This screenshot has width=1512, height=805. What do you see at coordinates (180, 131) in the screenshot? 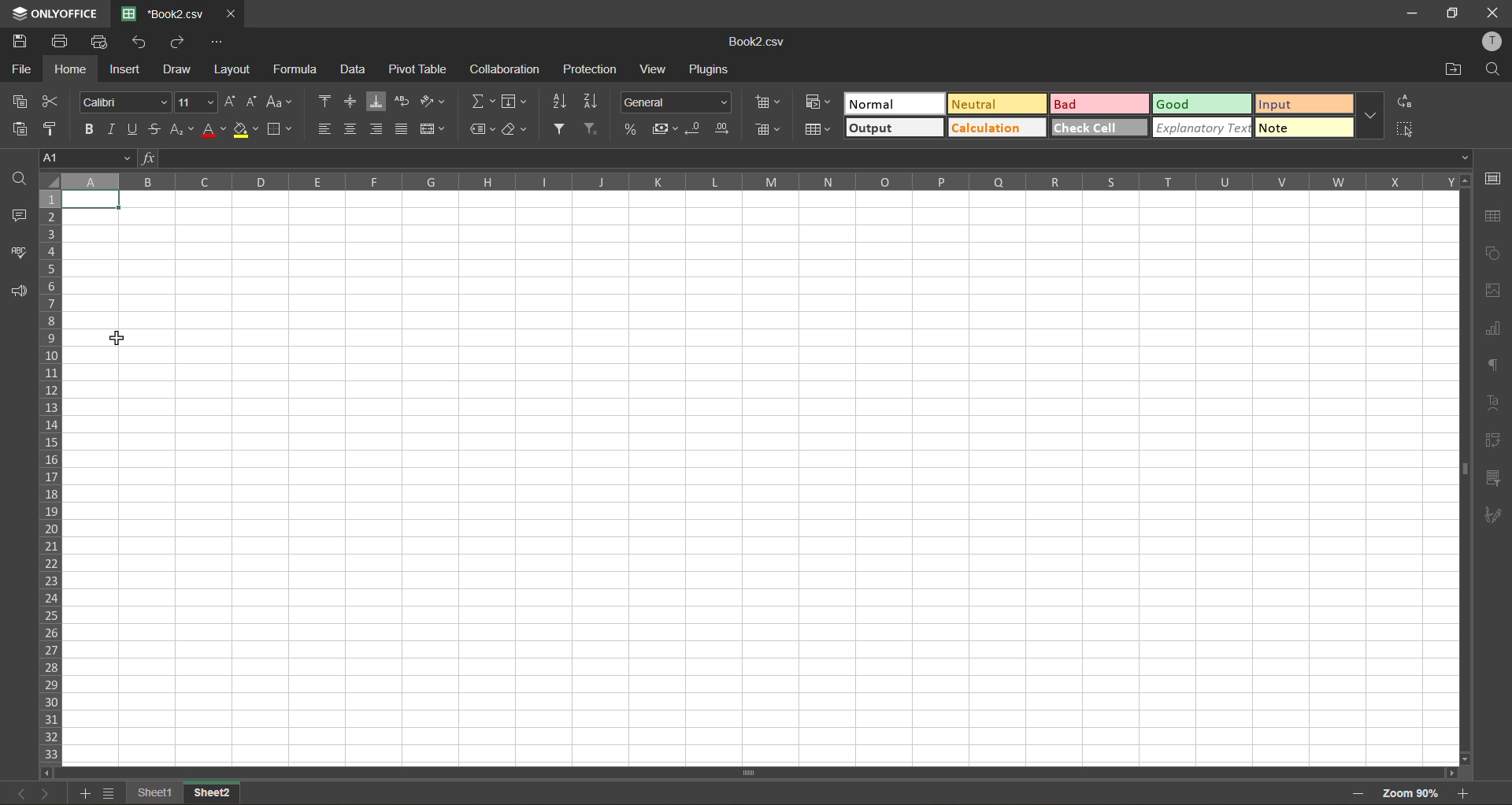
I see `sub\superscript` at bounding box center [180, 131].